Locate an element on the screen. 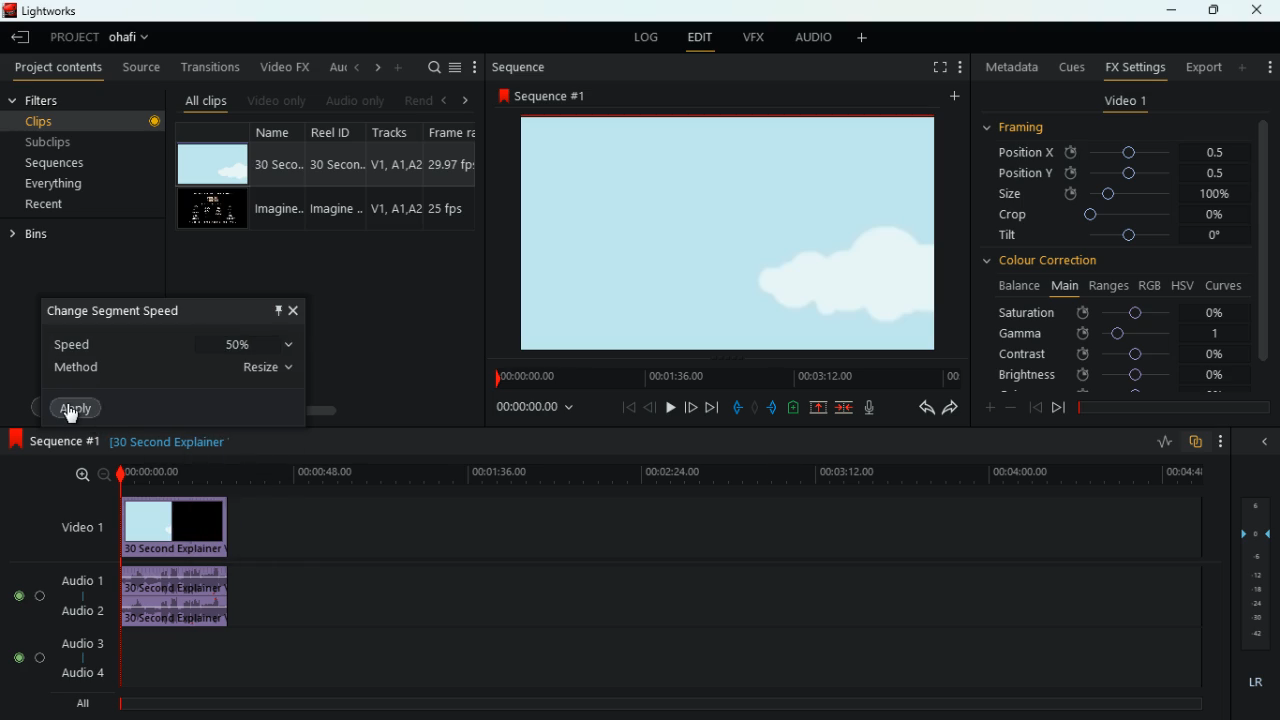  lightworks is located at coordinates (65, 10).